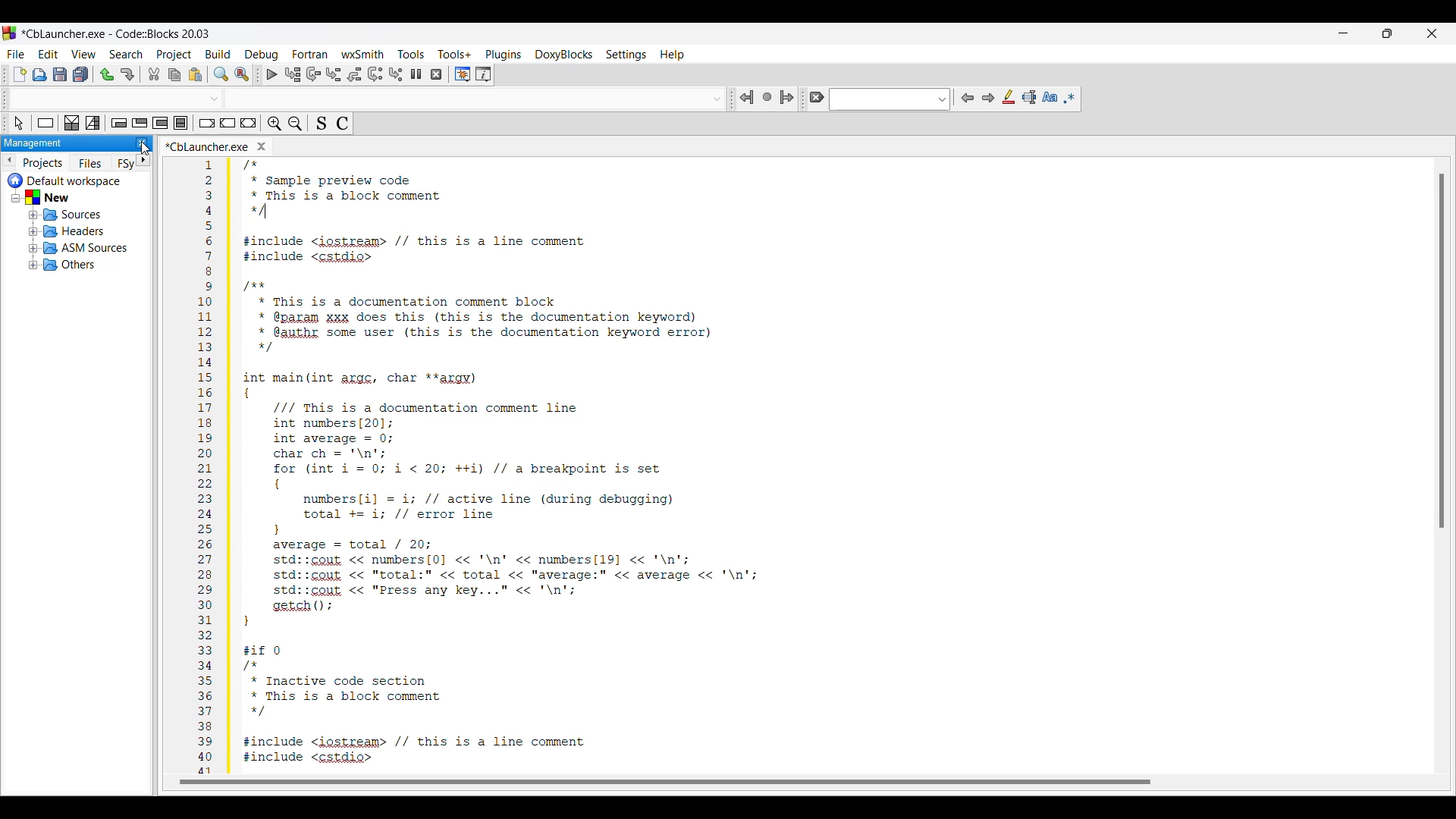  What do you see at coordinates (143, 161) in the screenshot?
I see `Go to next` at bounding box center [143, 161].